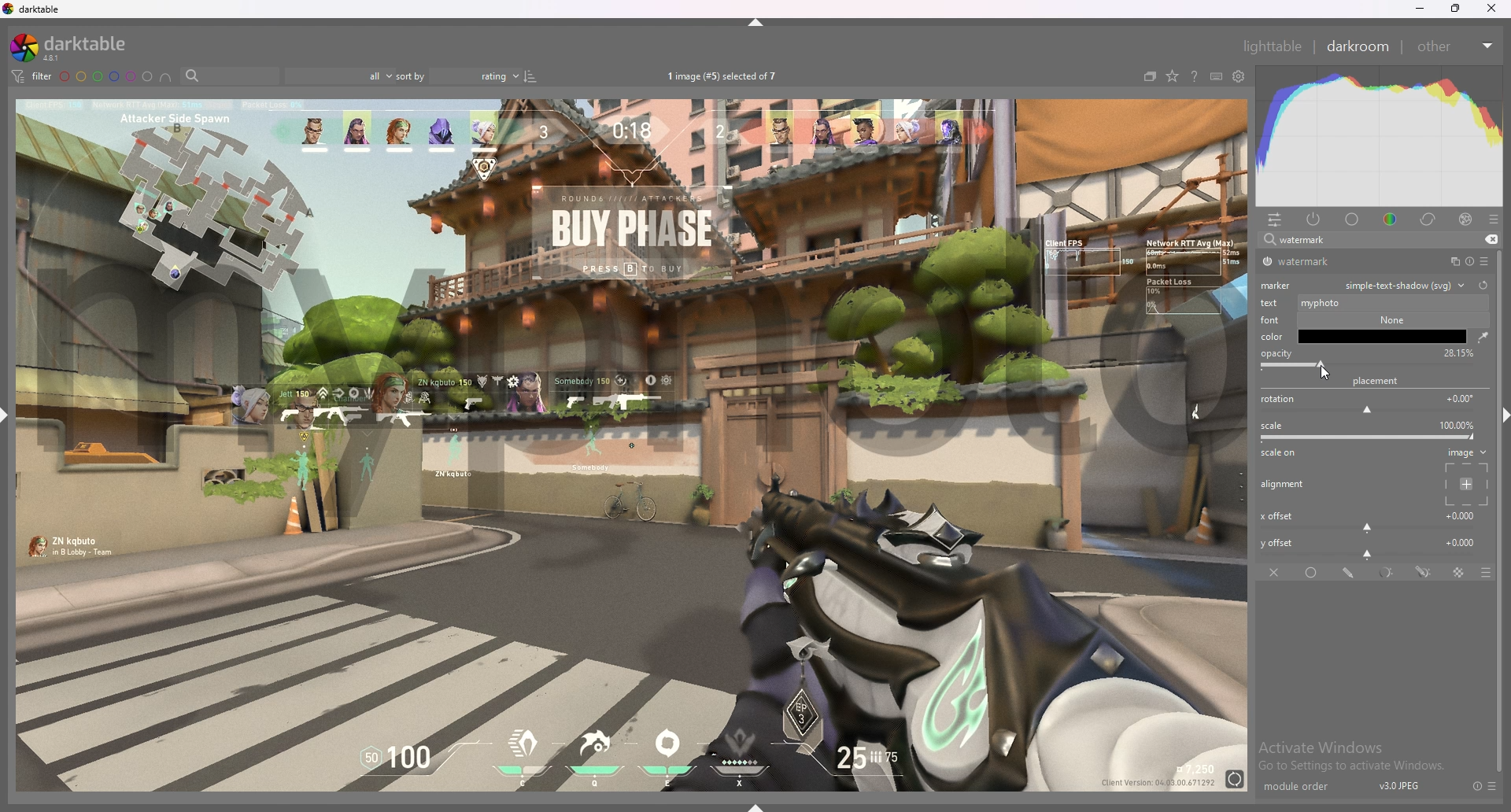  What do you see at coordinates (1465, 220) in the screenshot?
I see `effect` at bounding box center [1465, 220].